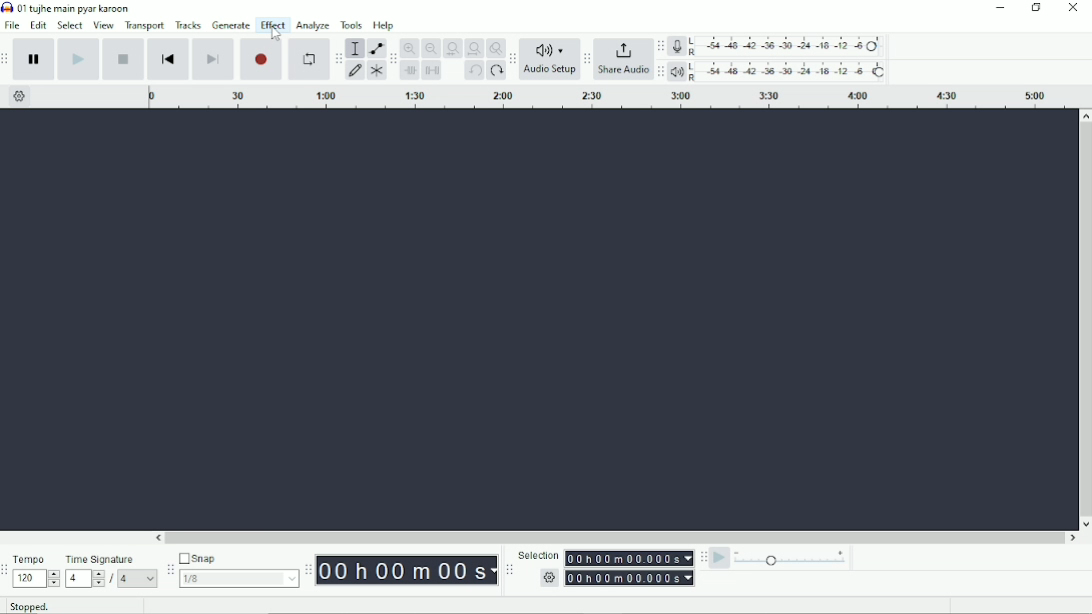 The width and height of the screenshot is (1092, 614). I want to click on Stopped, so click(28, 606).